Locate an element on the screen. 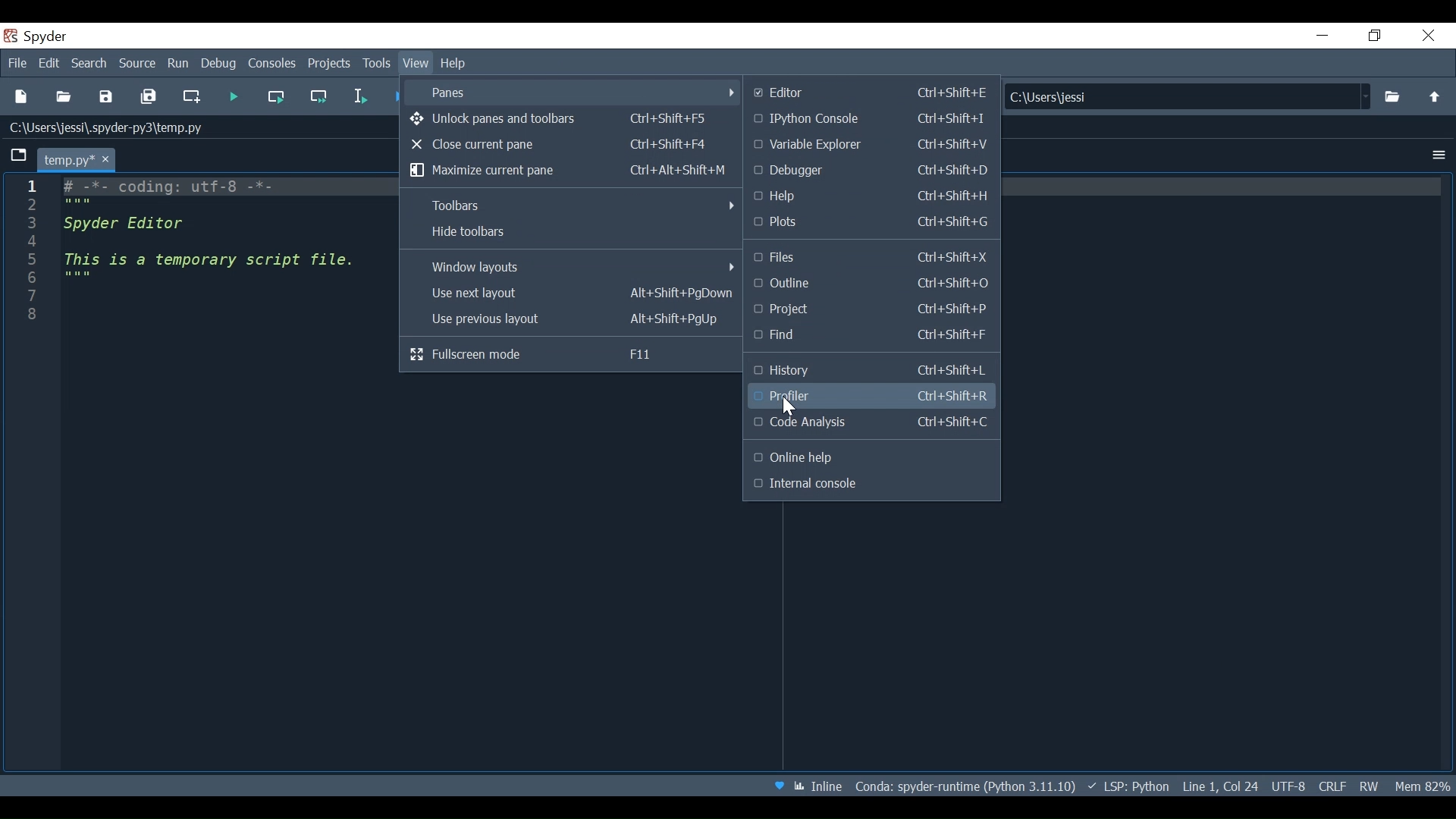 The image size is (1456, 819). Run is located at coordinates (177, 63).